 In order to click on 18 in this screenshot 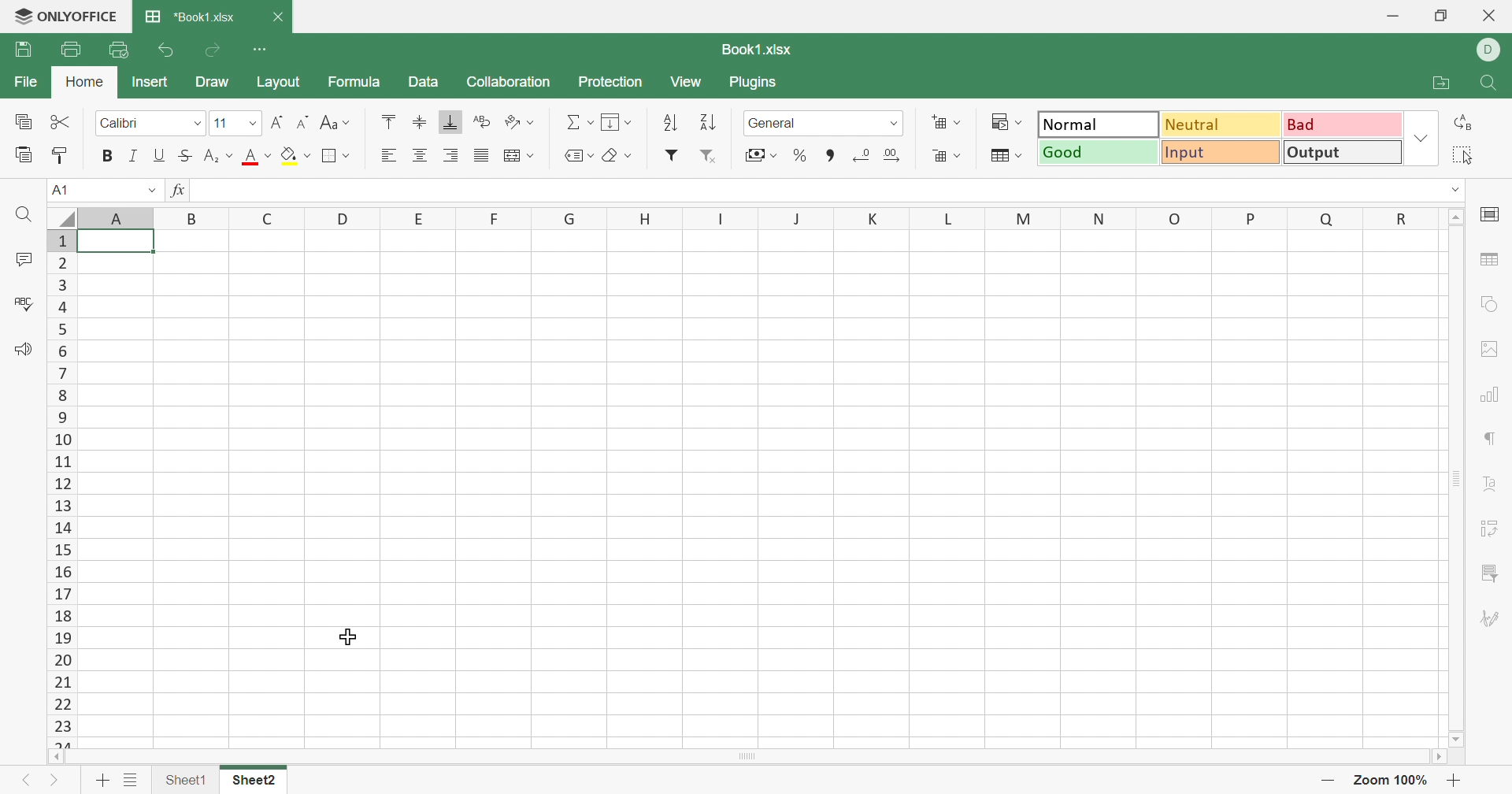, I will do `click(61, 618)`.